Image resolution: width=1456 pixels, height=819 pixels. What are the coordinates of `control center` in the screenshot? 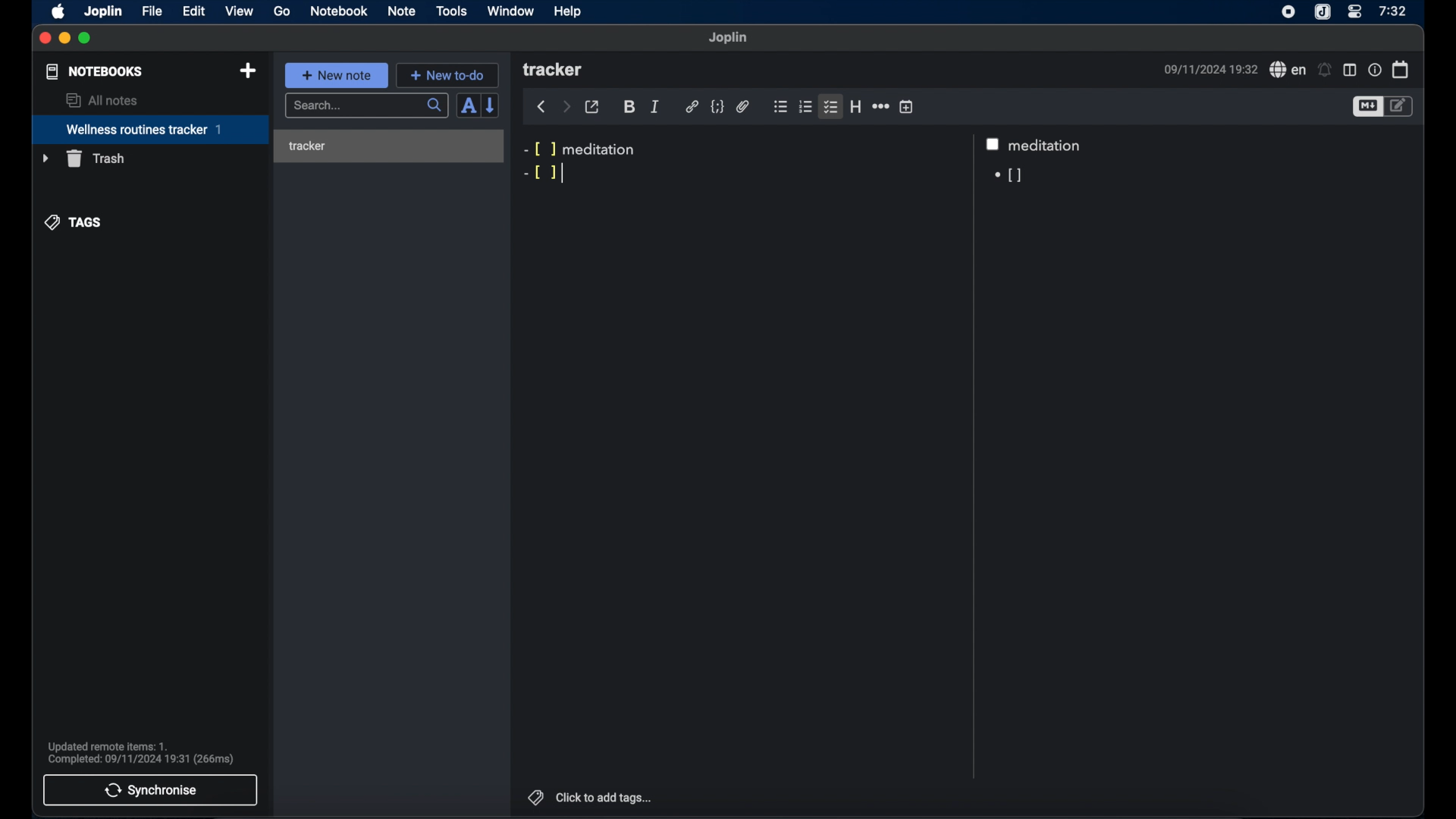 It's located at (1355, 12).